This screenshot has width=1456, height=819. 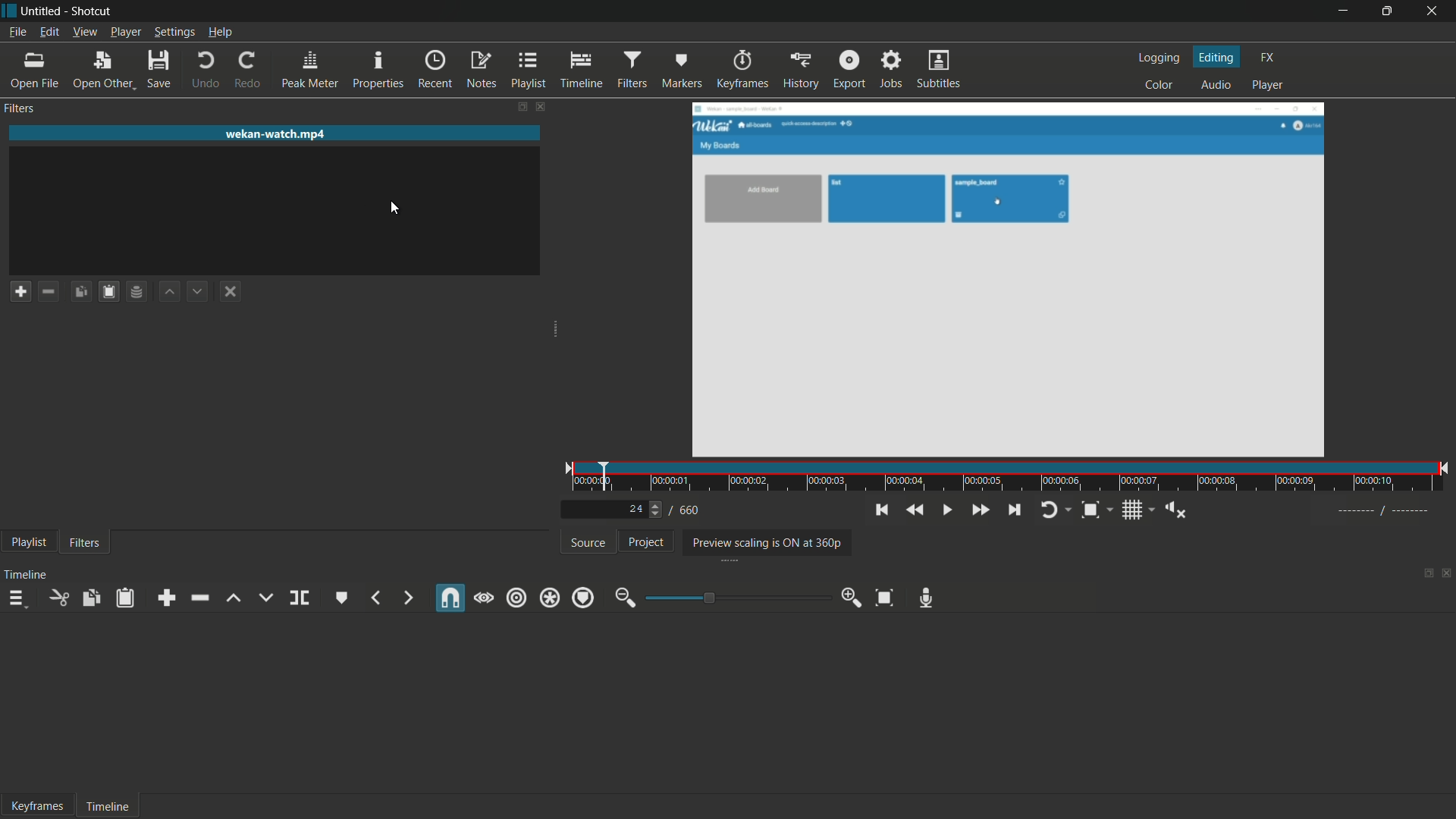 I want to click on jobs, so click(x=890, y=71).